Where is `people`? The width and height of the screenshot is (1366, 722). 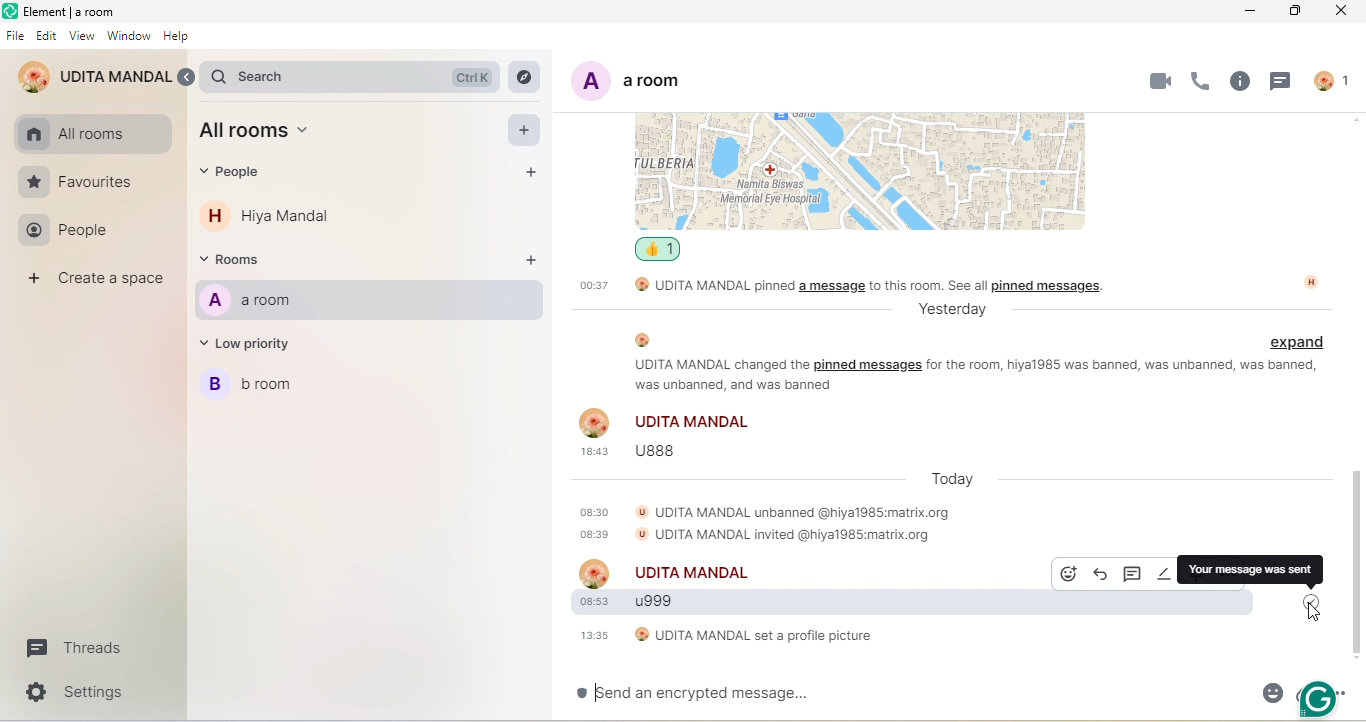 people is located at coordinates (245, 173).